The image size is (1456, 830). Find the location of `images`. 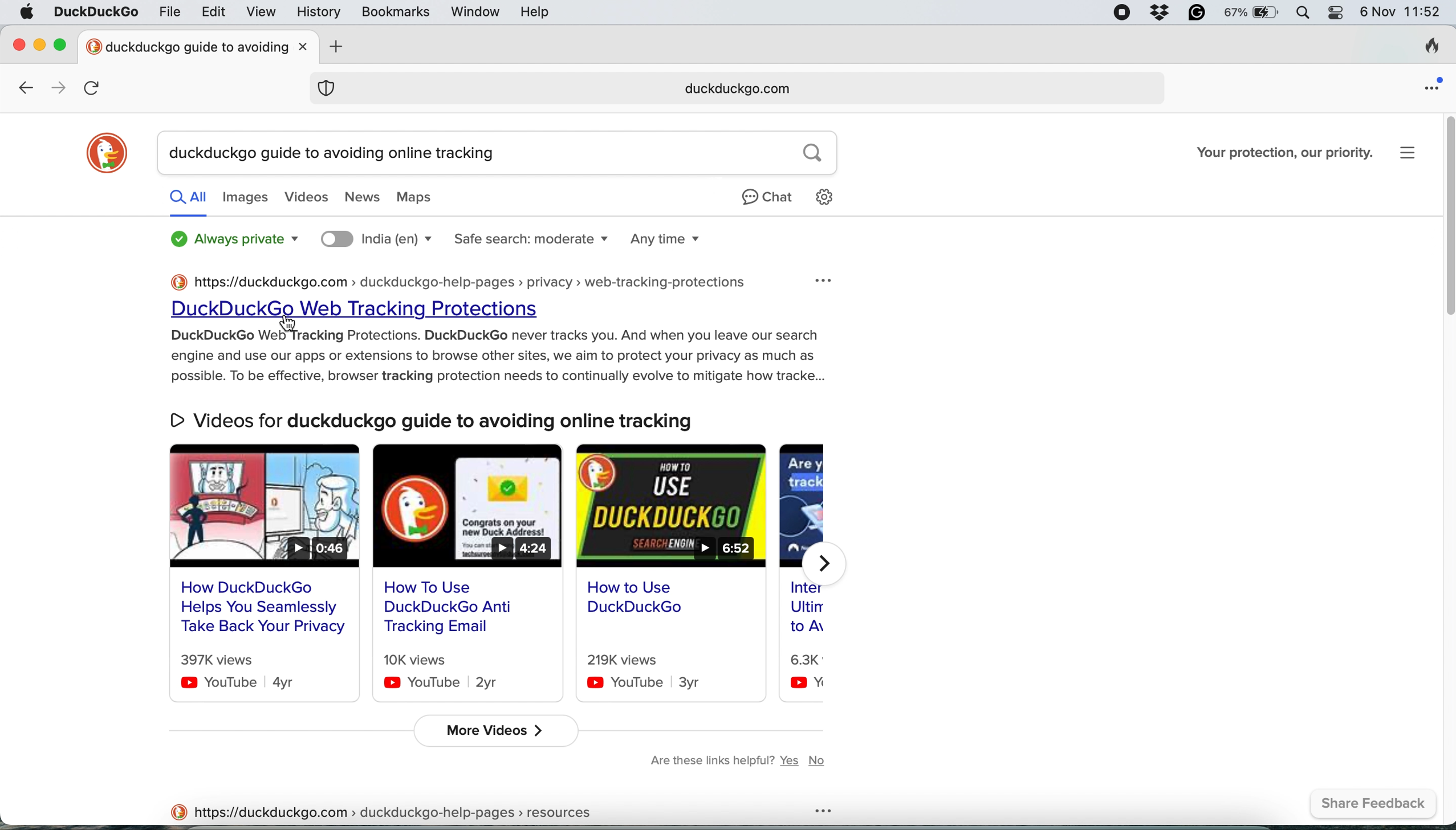

images is located at coordinates (251, 197).